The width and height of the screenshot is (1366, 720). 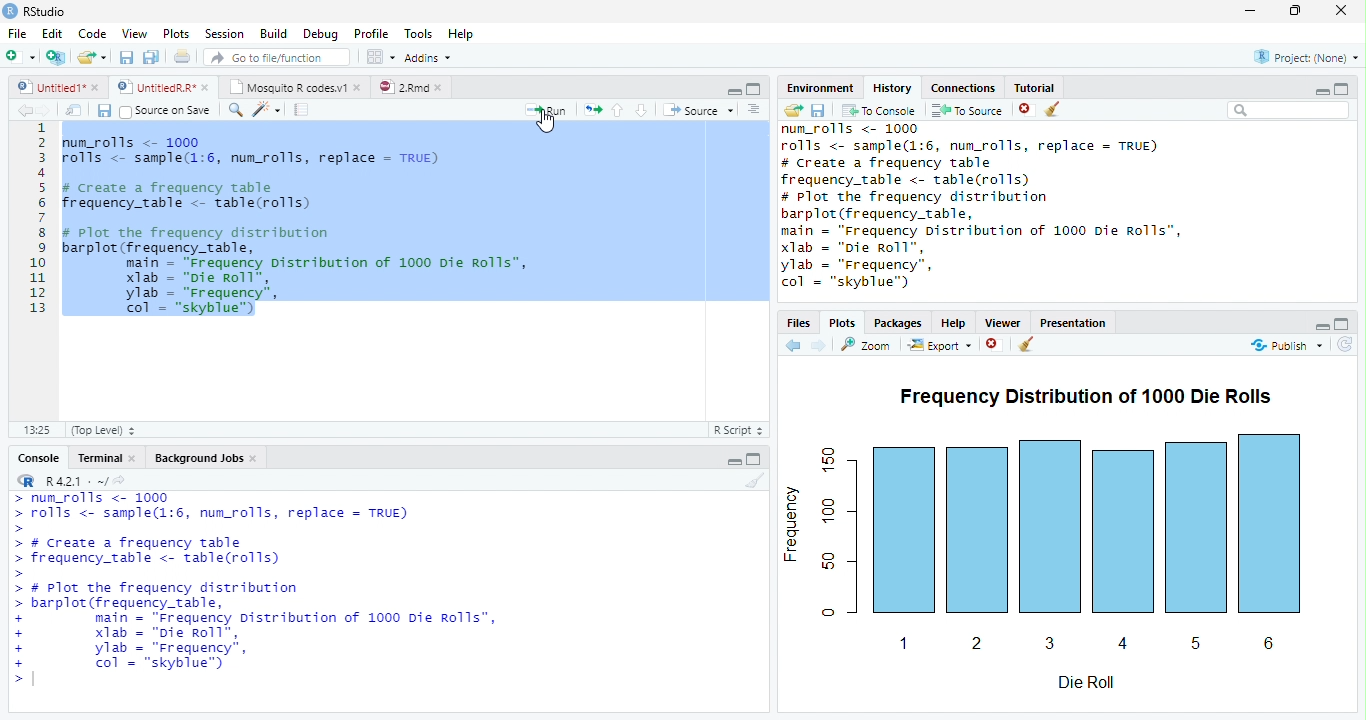 What do you see at coordinates (939, 346) in the screenshot?
I see `Export` at bounding box center [939, 346].